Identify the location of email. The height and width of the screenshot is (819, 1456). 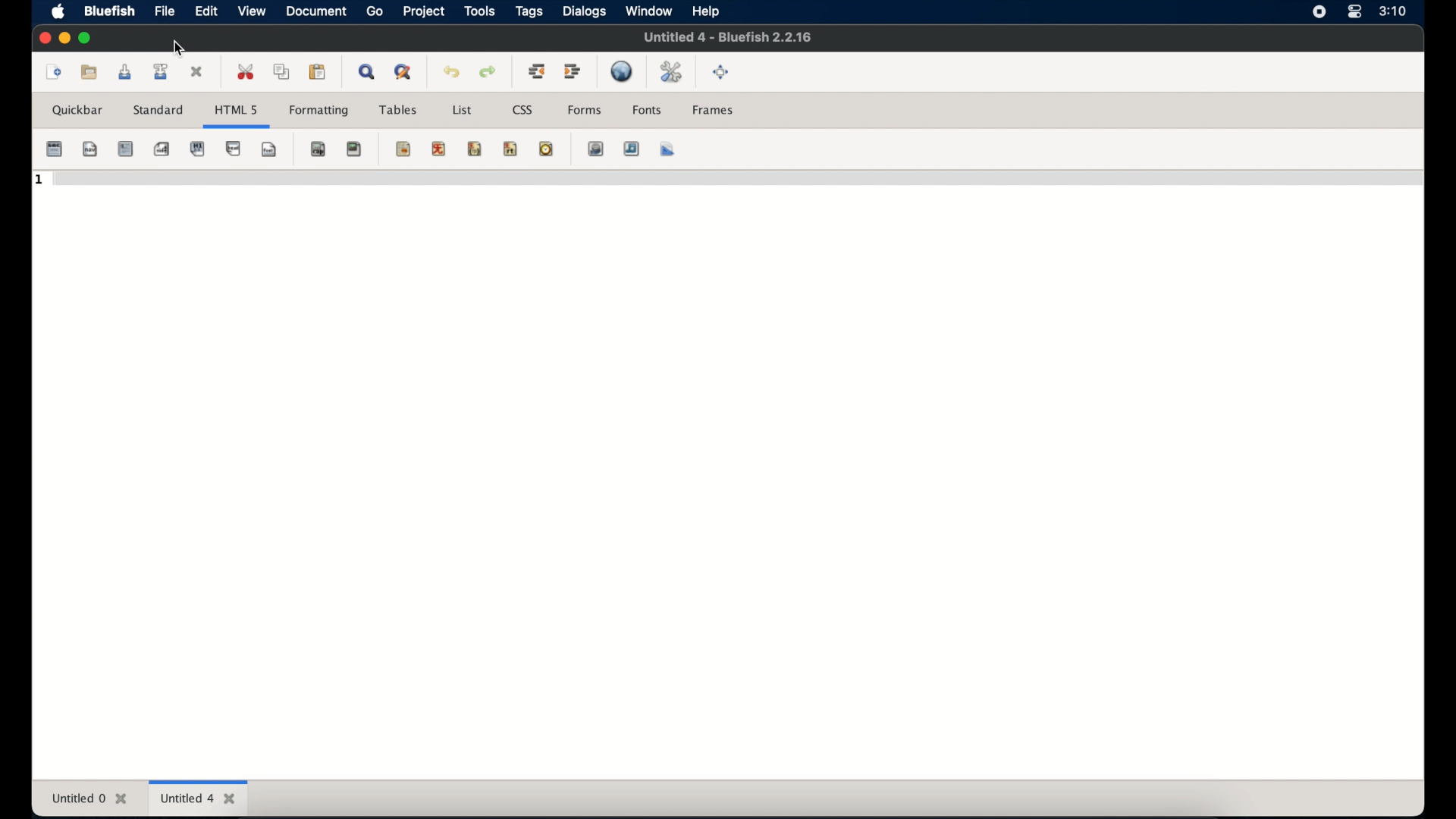
(548, 149).